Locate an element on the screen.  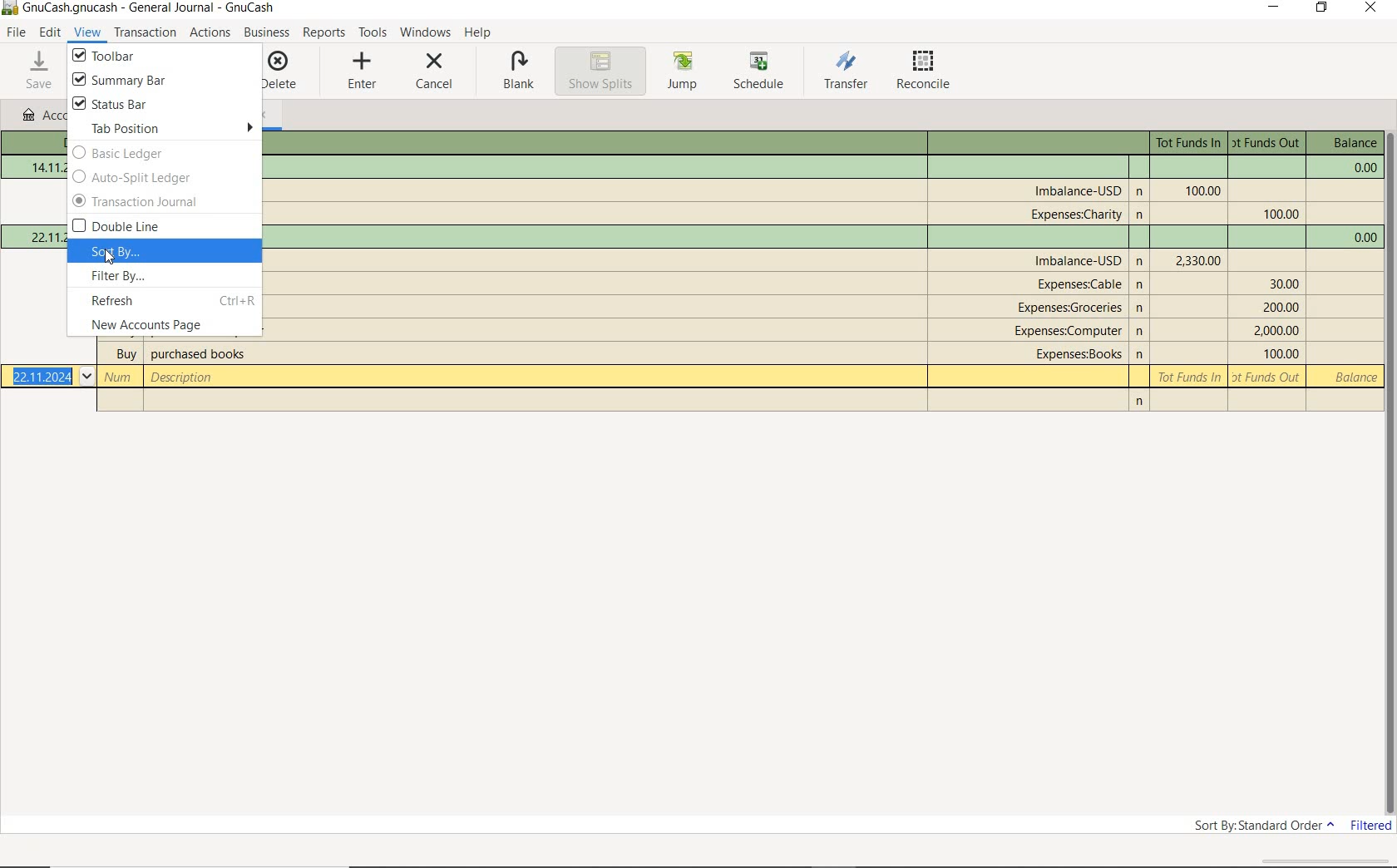
SORT BY: STANDARD ORDER is located at coordinates (1265, 827).